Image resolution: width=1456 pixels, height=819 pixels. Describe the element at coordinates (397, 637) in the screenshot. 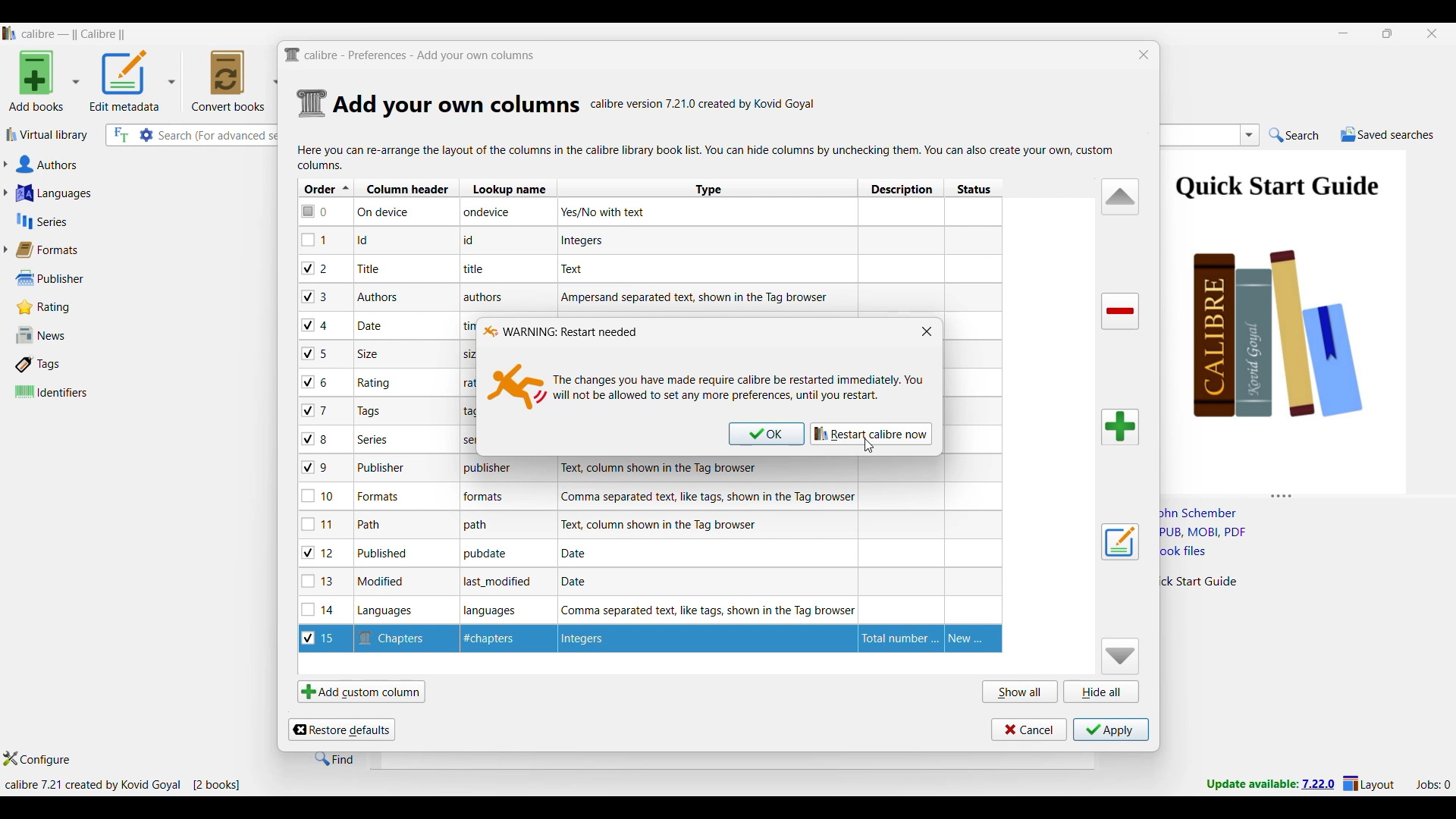

I see `Chapters` at that location.